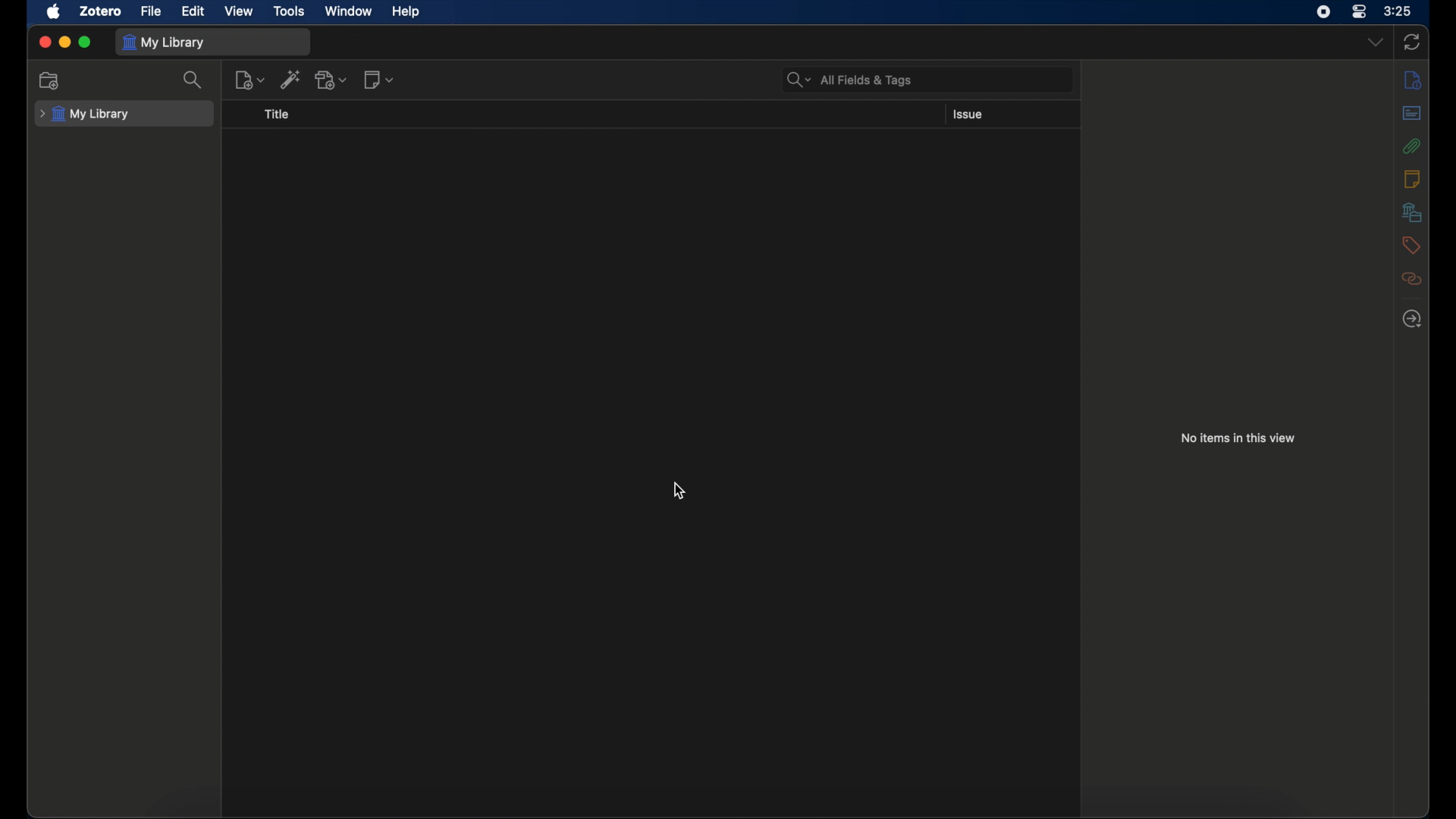 This screenshot has height=819, width=1456. Describe the element at coordinates (849, 80) in the screenshot. I see `all fields & tags` at that location.